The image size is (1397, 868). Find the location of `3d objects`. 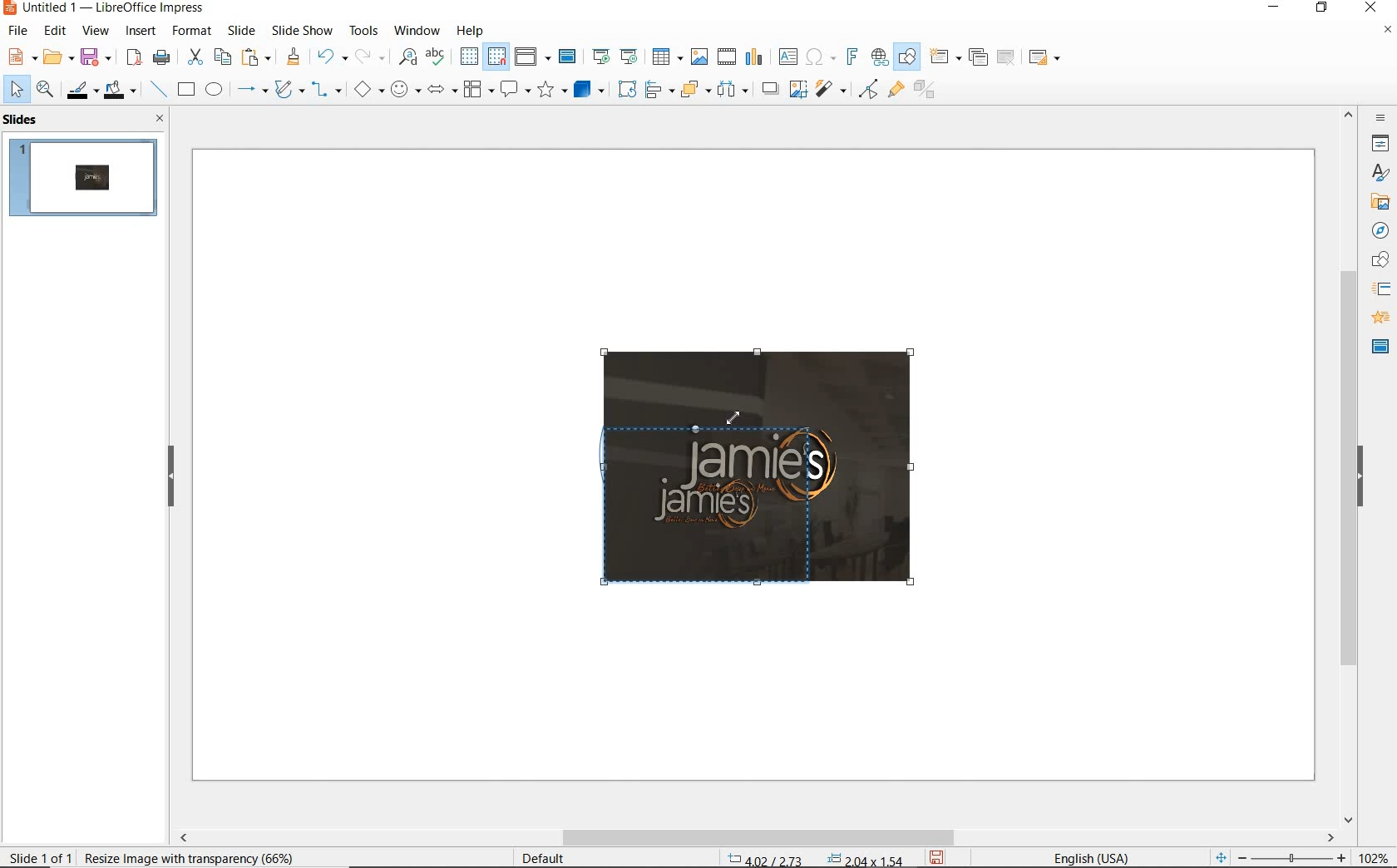

3d objects is located at coordinates (590, 90).